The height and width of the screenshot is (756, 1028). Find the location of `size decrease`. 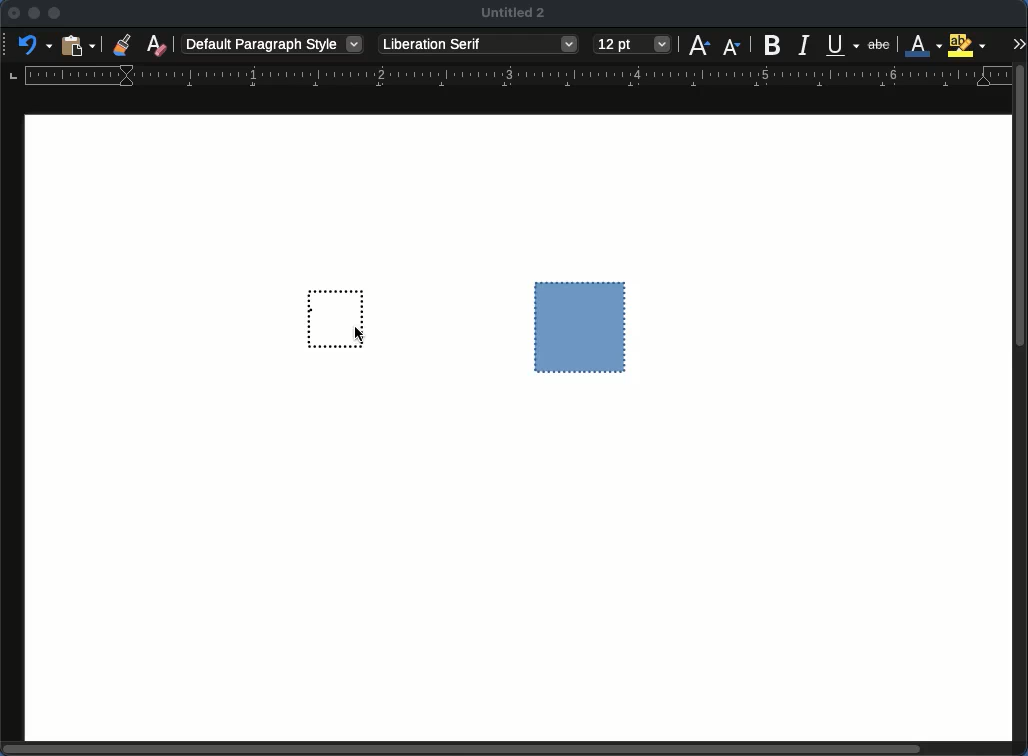

size decrease is located at coordinates (733, 46).